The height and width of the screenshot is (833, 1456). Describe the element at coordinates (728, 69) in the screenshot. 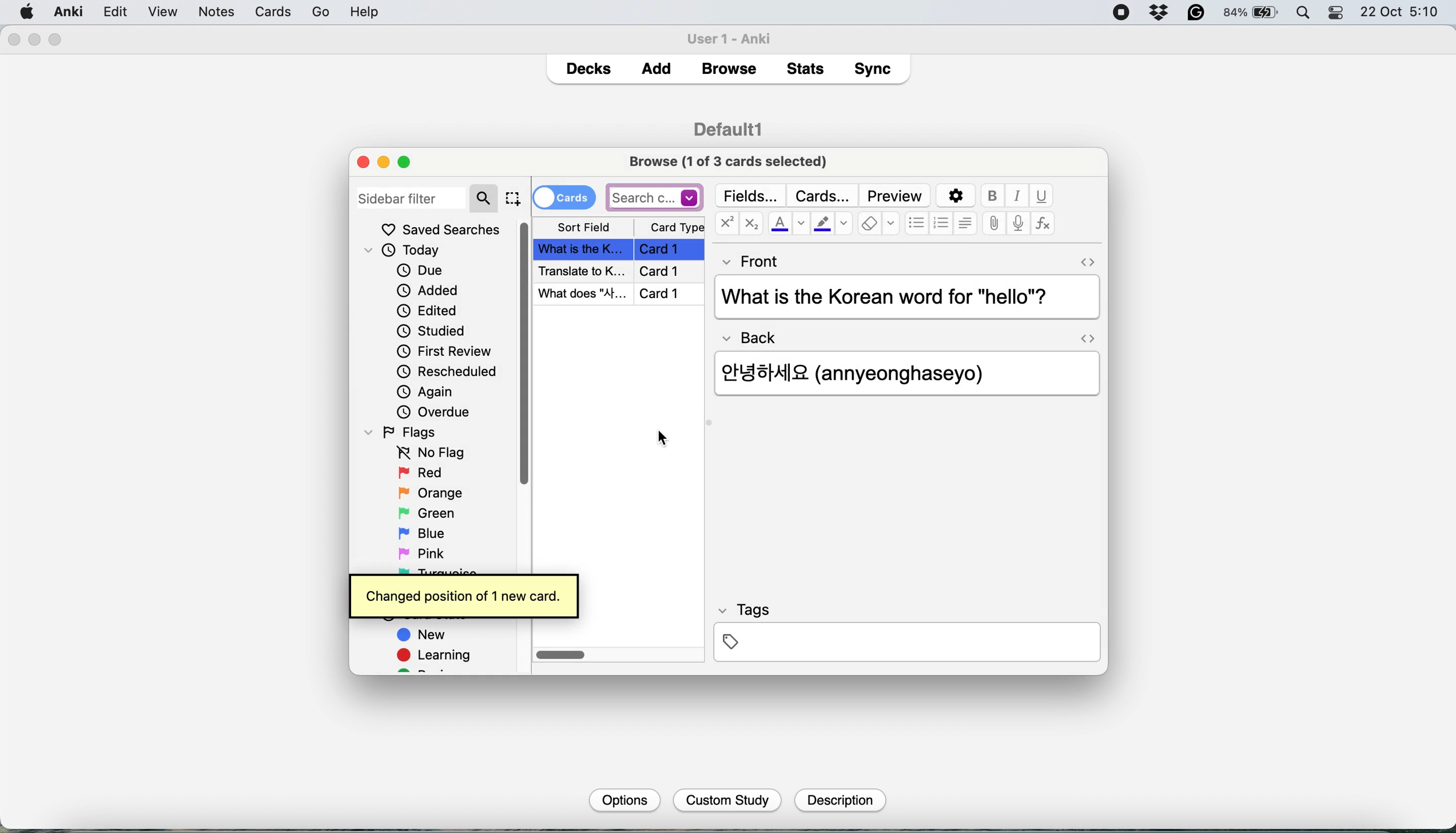

I see `Browse` at that location.